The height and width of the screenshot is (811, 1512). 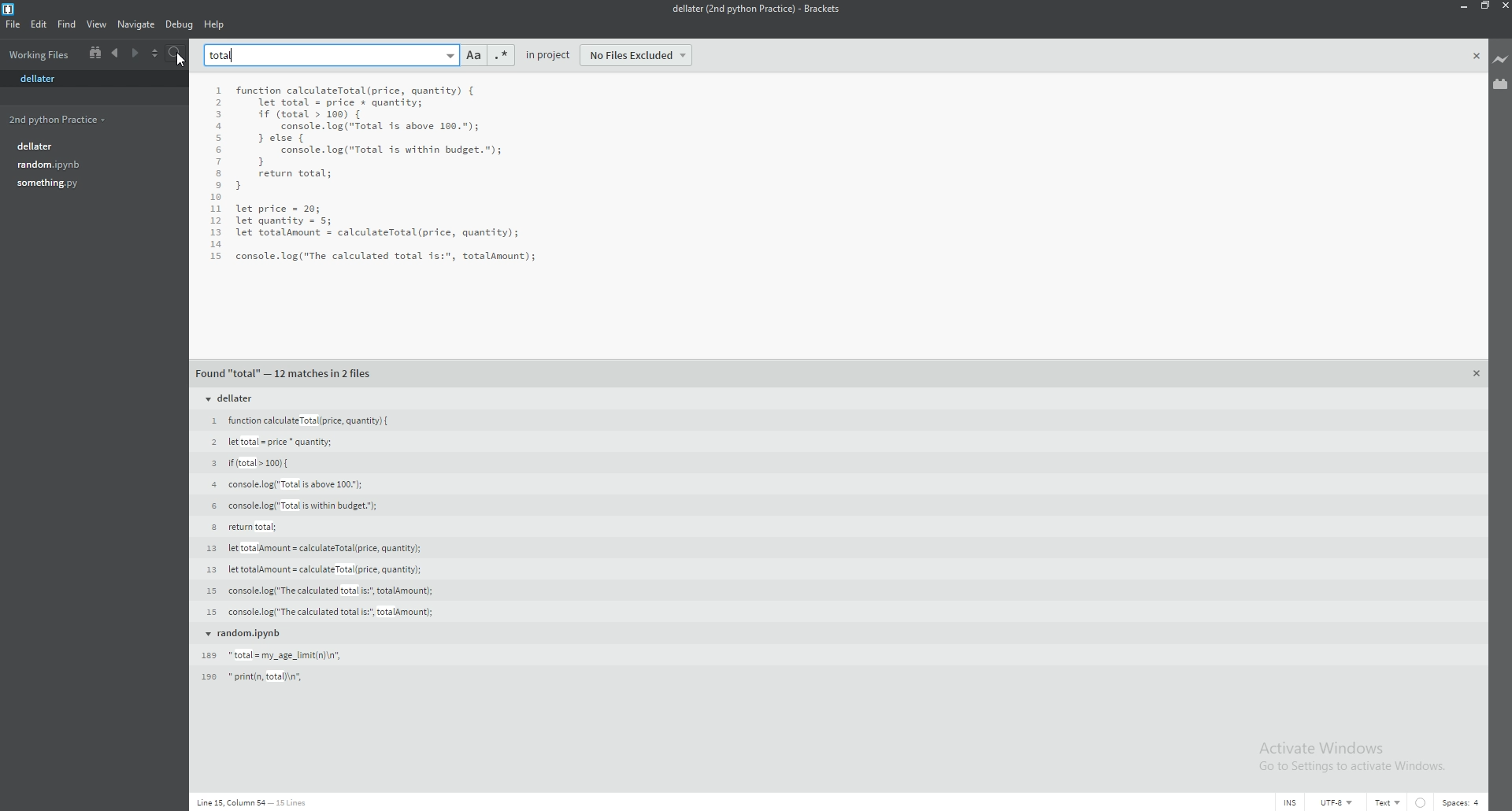 What do you see at coordinates (1499, 61) in the screenshot?
I see `live preview` at bounding box center [1499, 61].